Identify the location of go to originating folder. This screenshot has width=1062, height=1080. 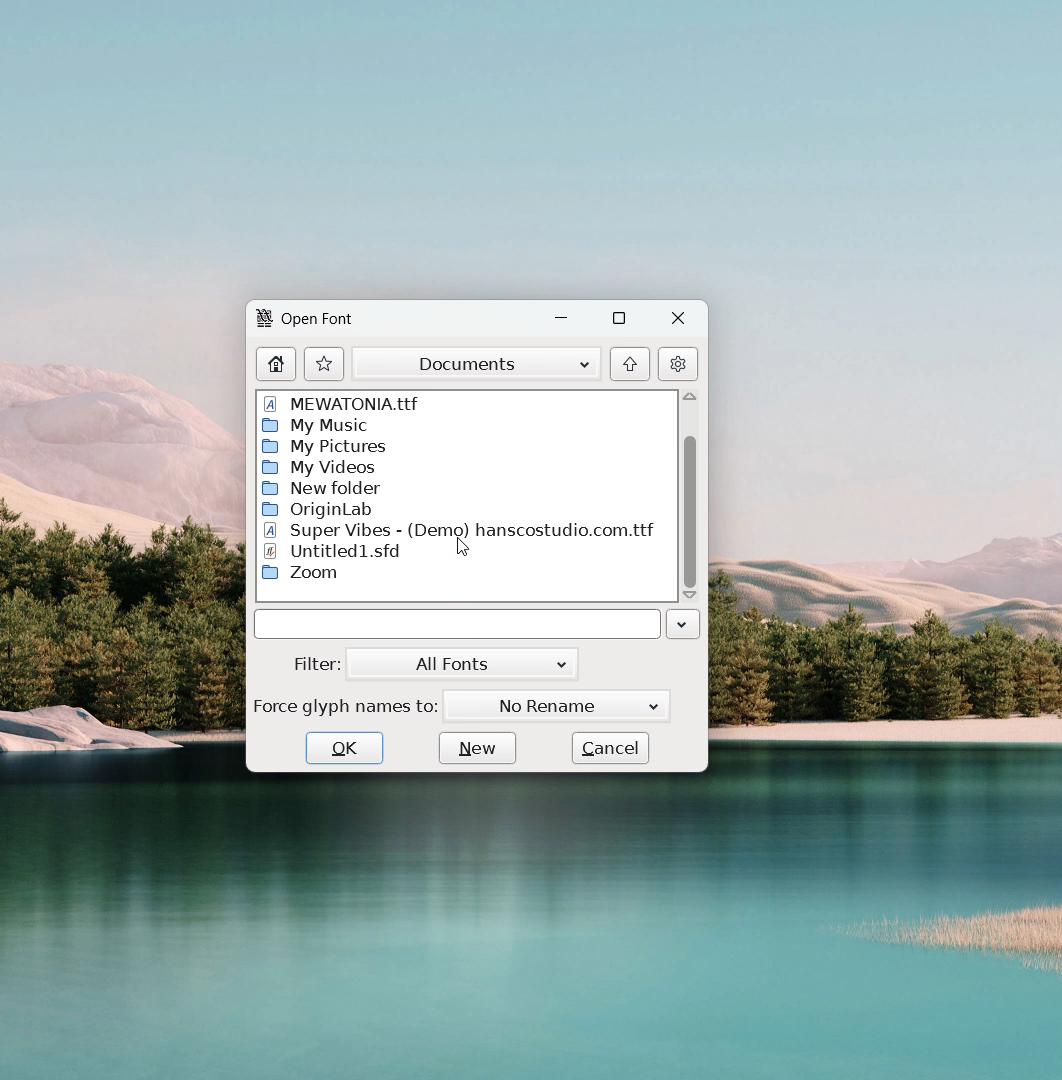
(630, 363).